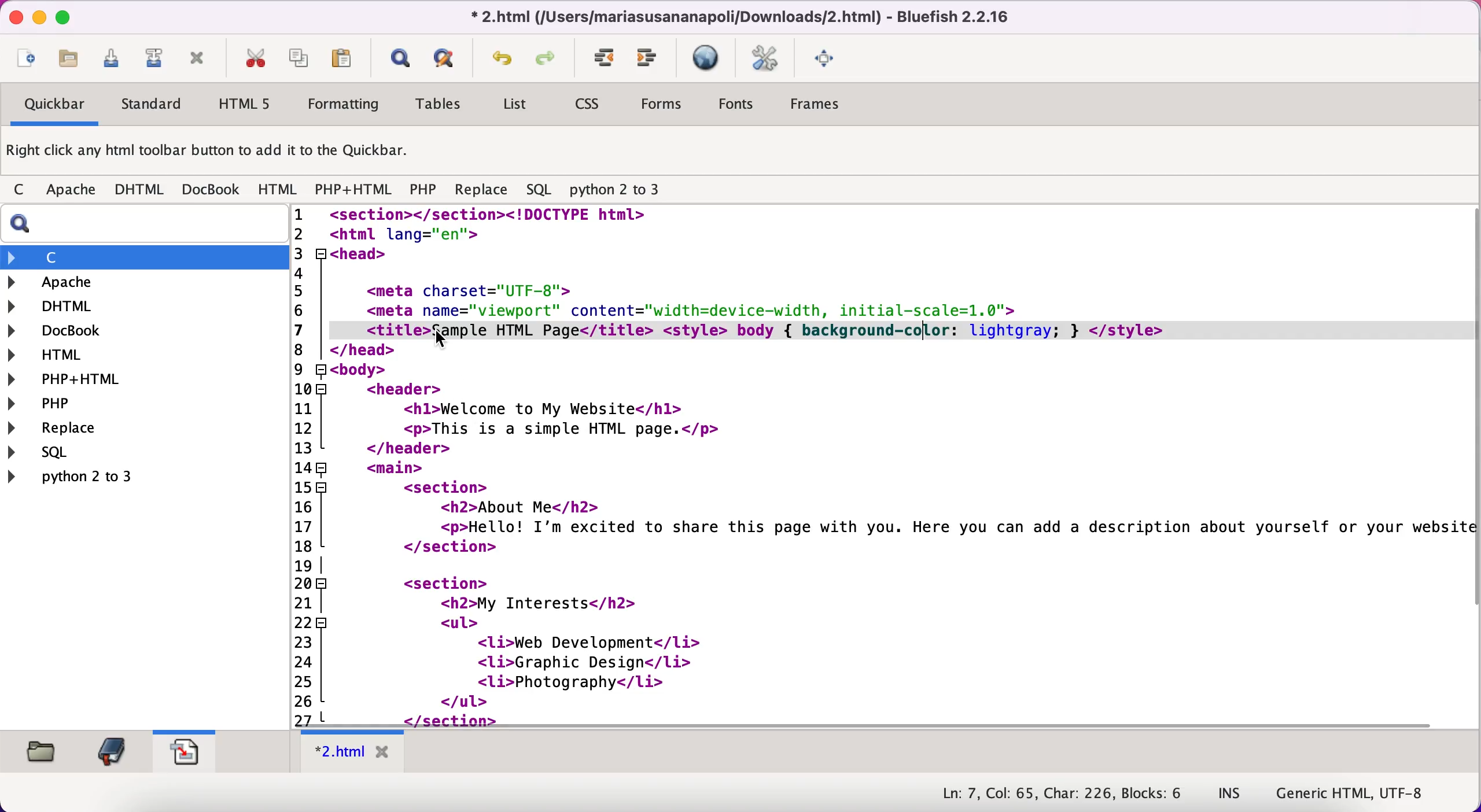 This screenshot has width=1481, height=812. Describe the element at coordinates (605, 58) in the screenshot. I see `indent` at that location.